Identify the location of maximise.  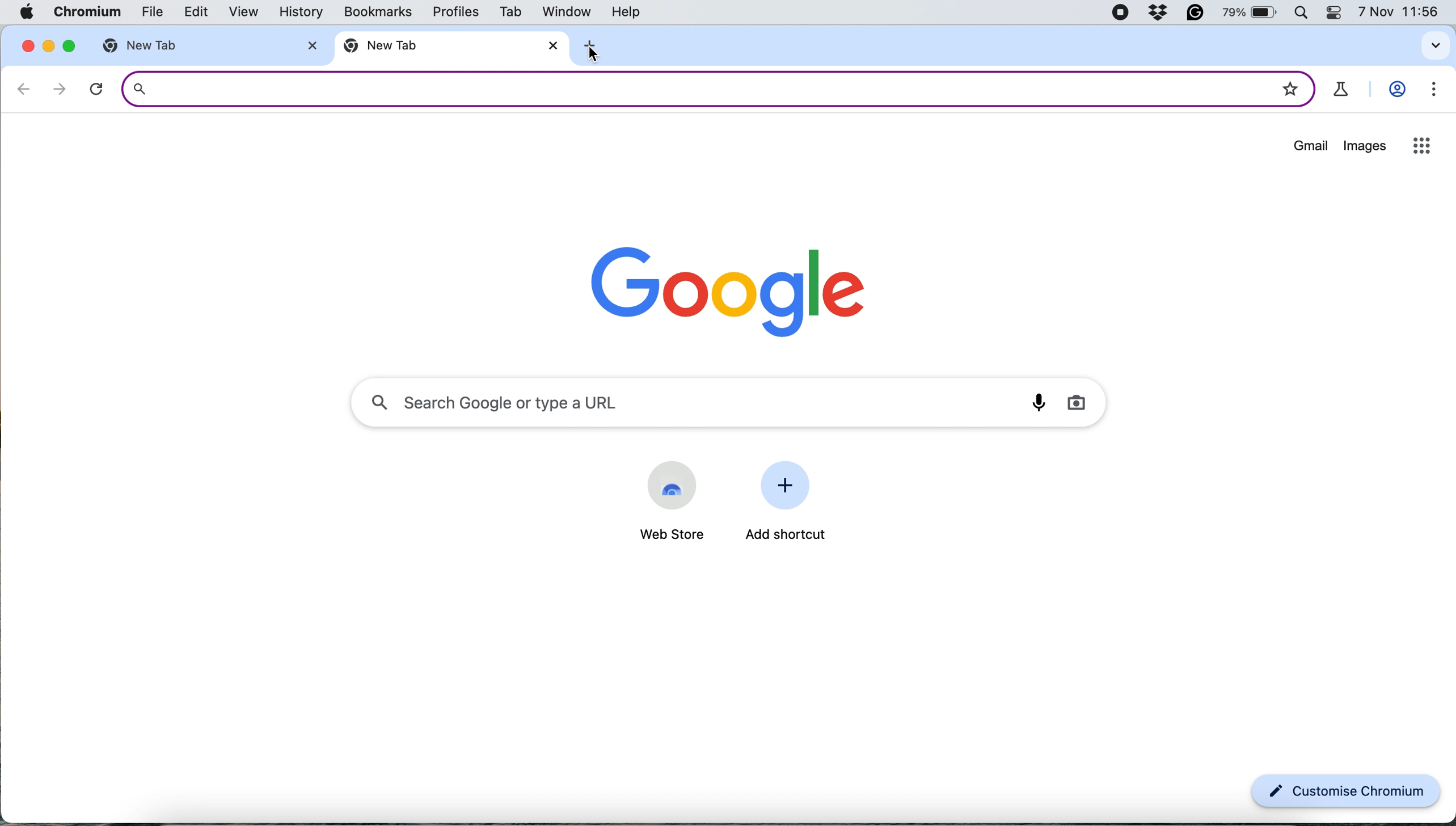
(68, 45).